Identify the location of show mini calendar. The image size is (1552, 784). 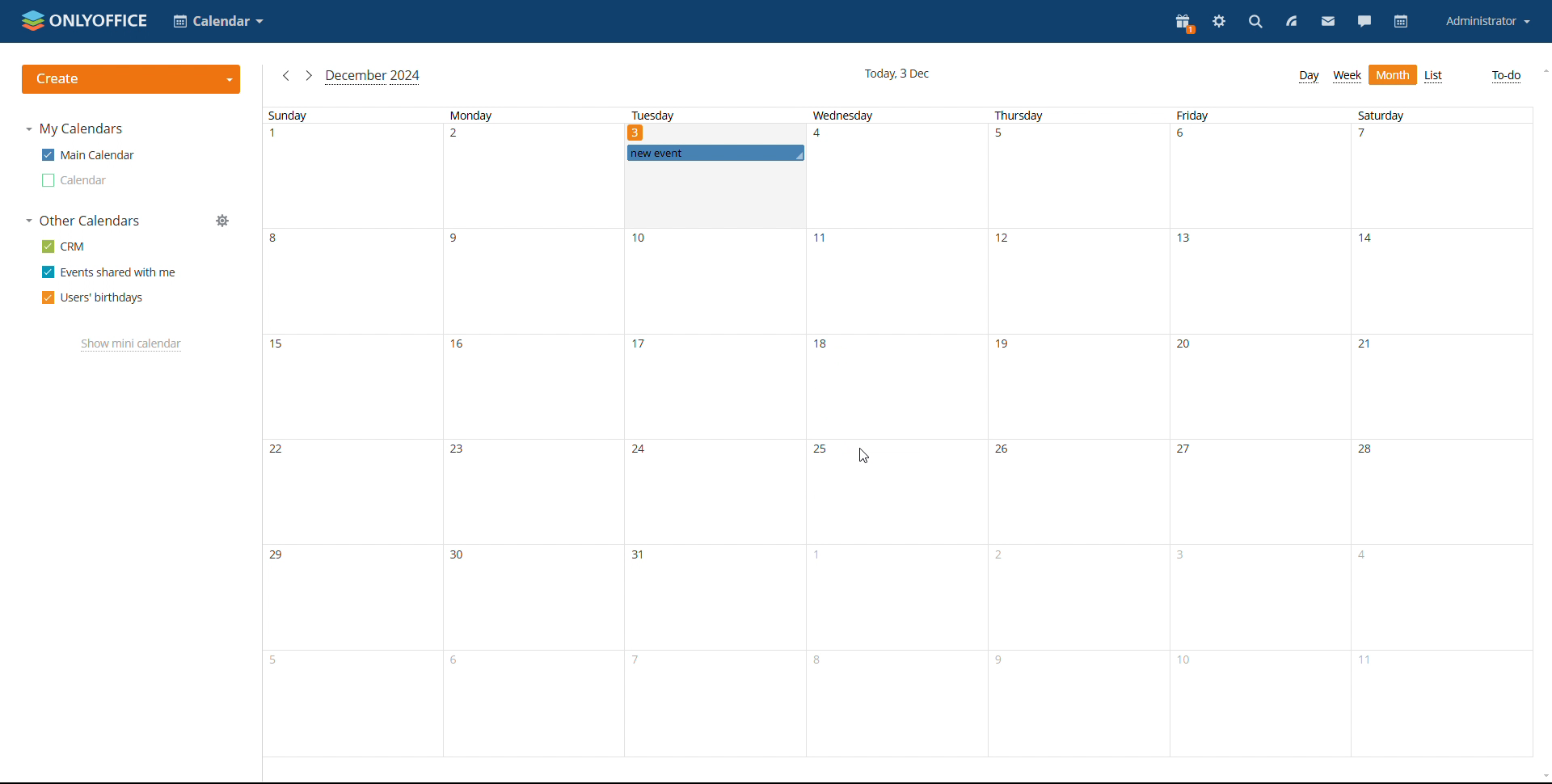
(131, 346).